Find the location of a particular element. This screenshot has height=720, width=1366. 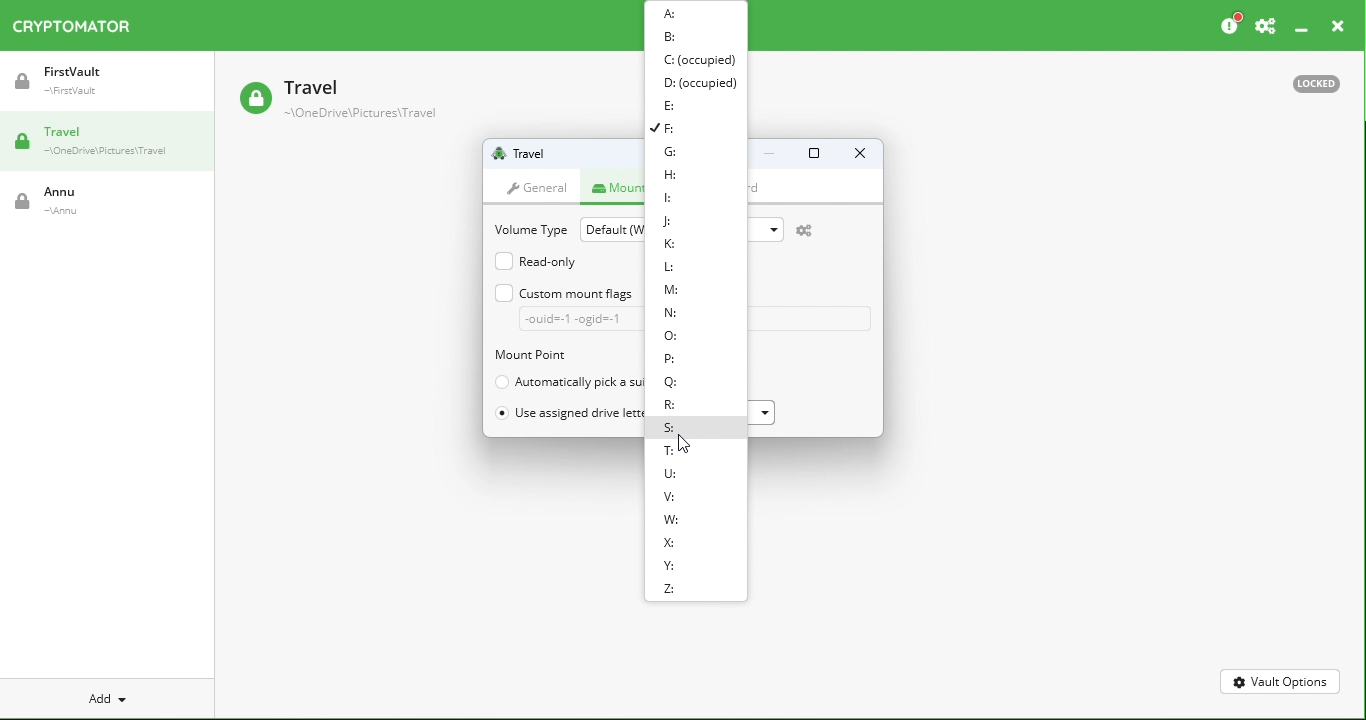

Y: is located at coordinates (672, 567).